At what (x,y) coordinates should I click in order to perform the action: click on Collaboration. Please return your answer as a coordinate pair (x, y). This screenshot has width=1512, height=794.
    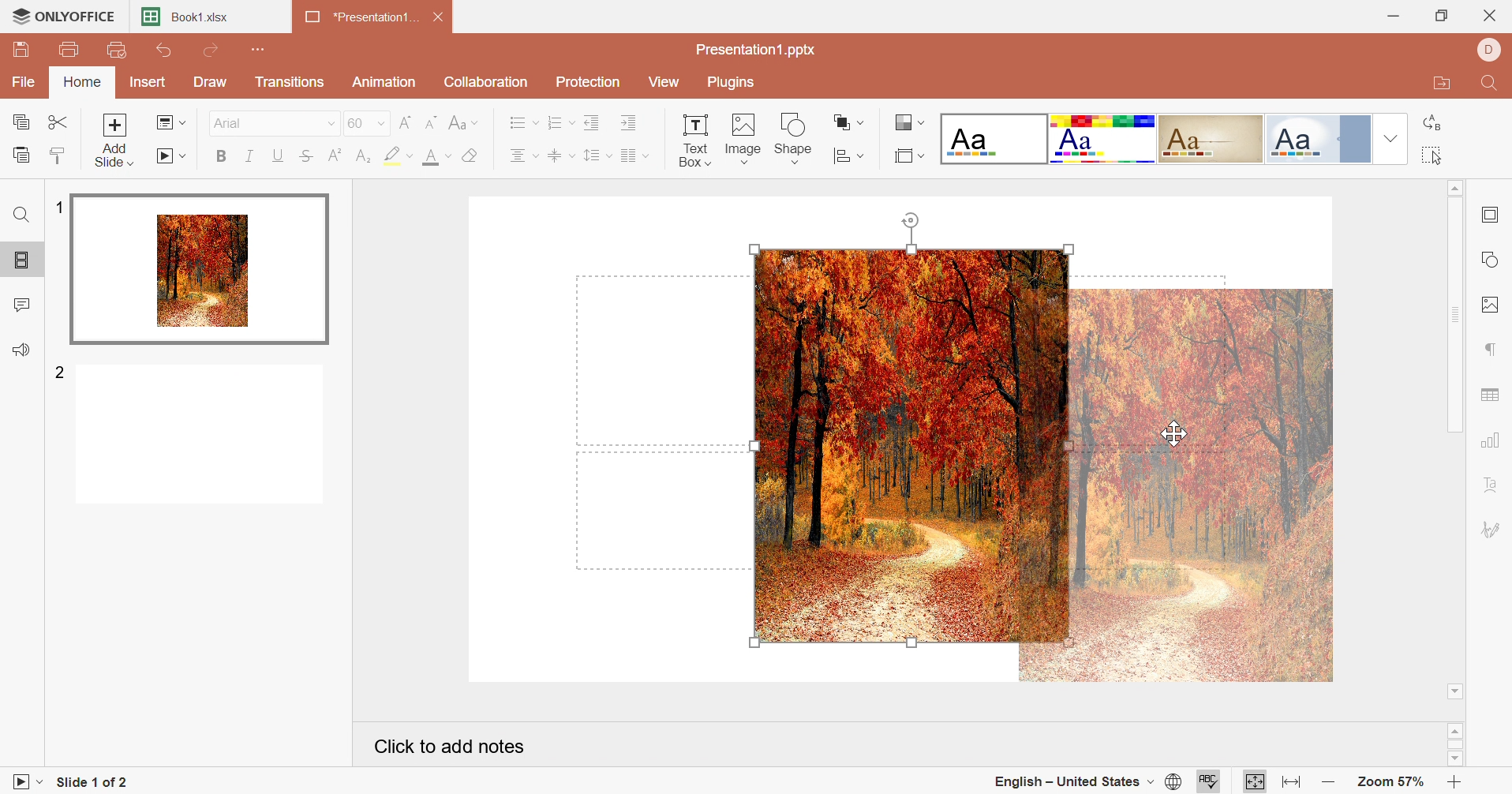
    Looking at the image, I should click on (486, 84).